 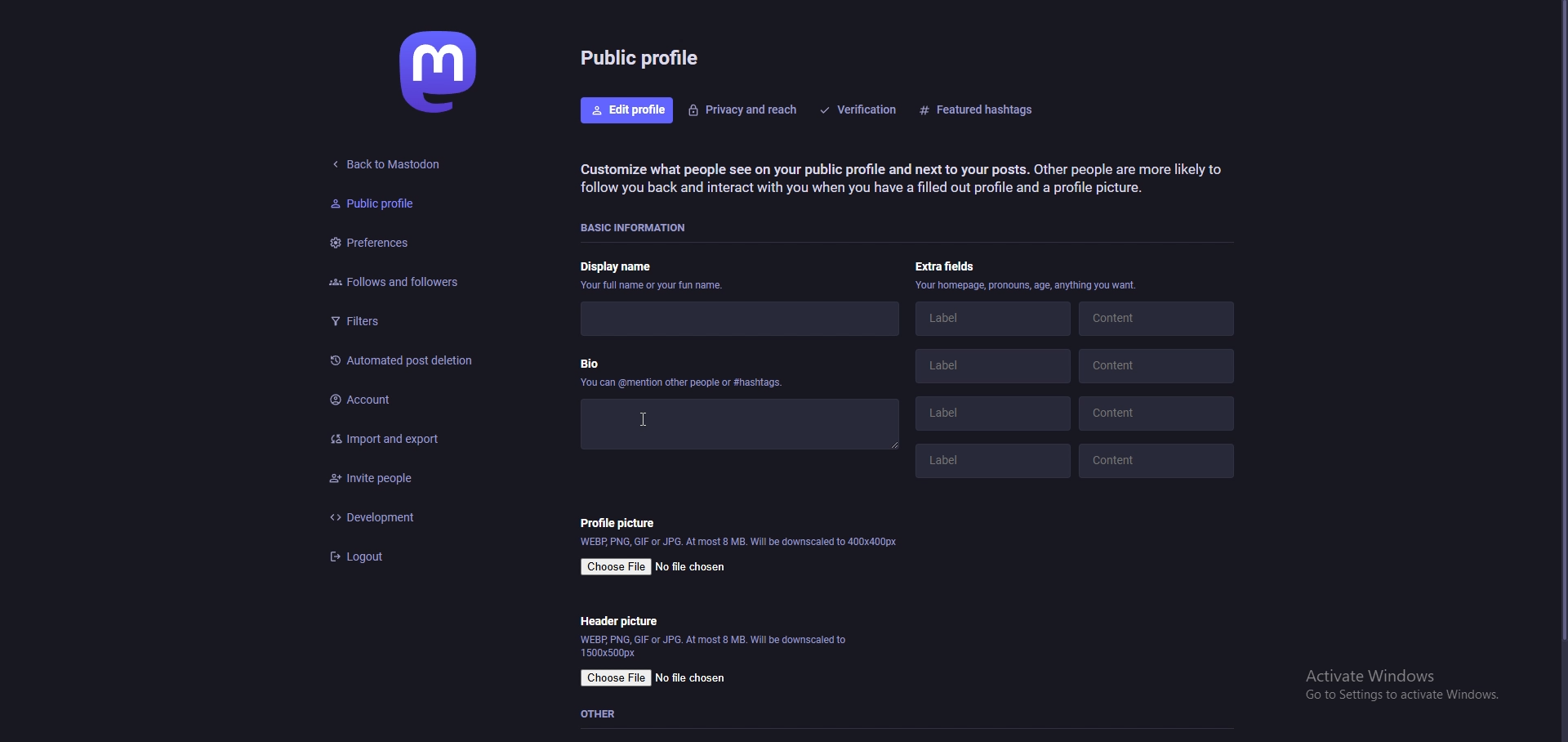 I want to click on label, so click(x=989, y=462).